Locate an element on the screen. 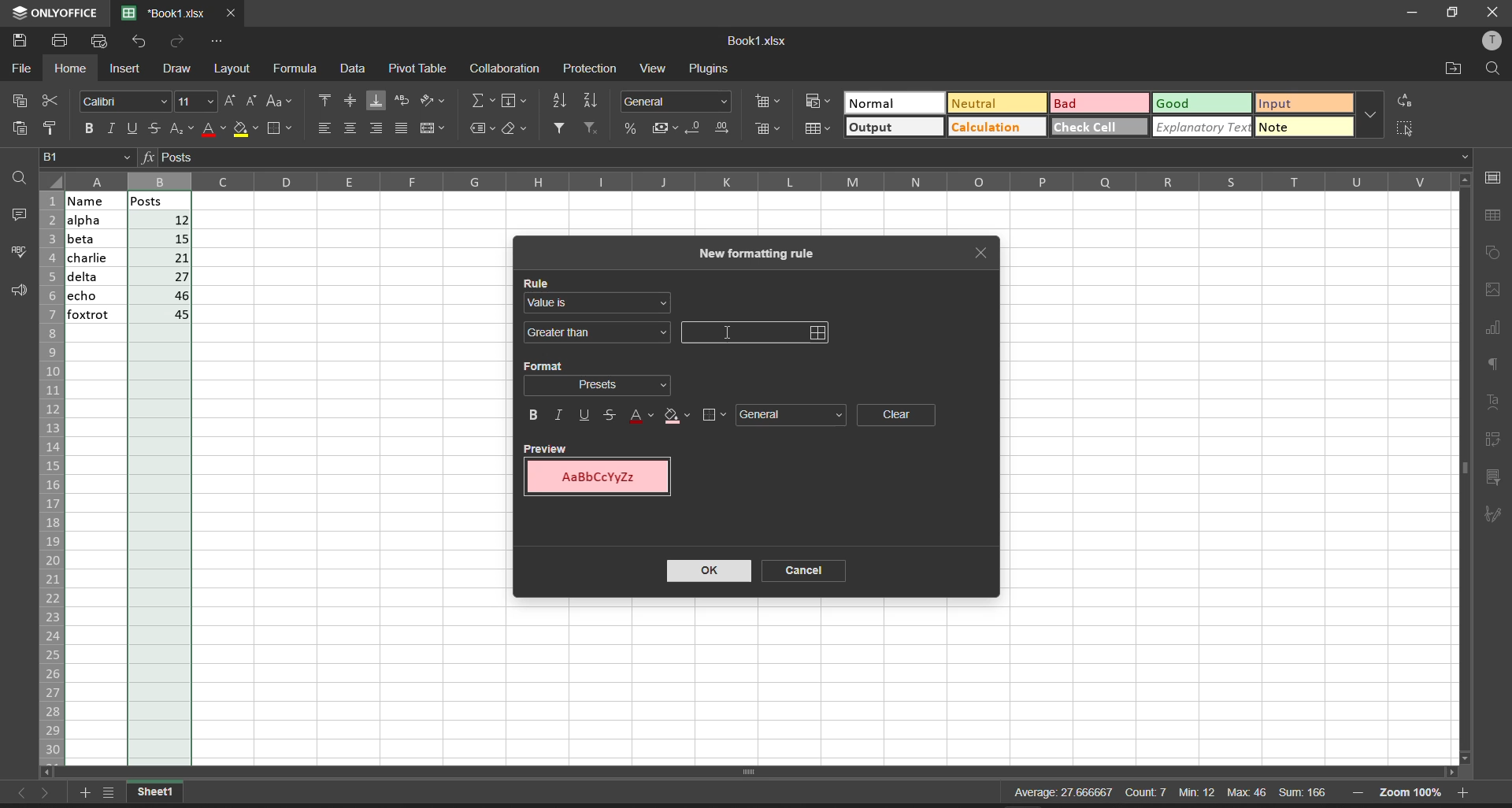 The width and height of the screenshot is (1512, 808). Normal is located at coordinates (873, 104).